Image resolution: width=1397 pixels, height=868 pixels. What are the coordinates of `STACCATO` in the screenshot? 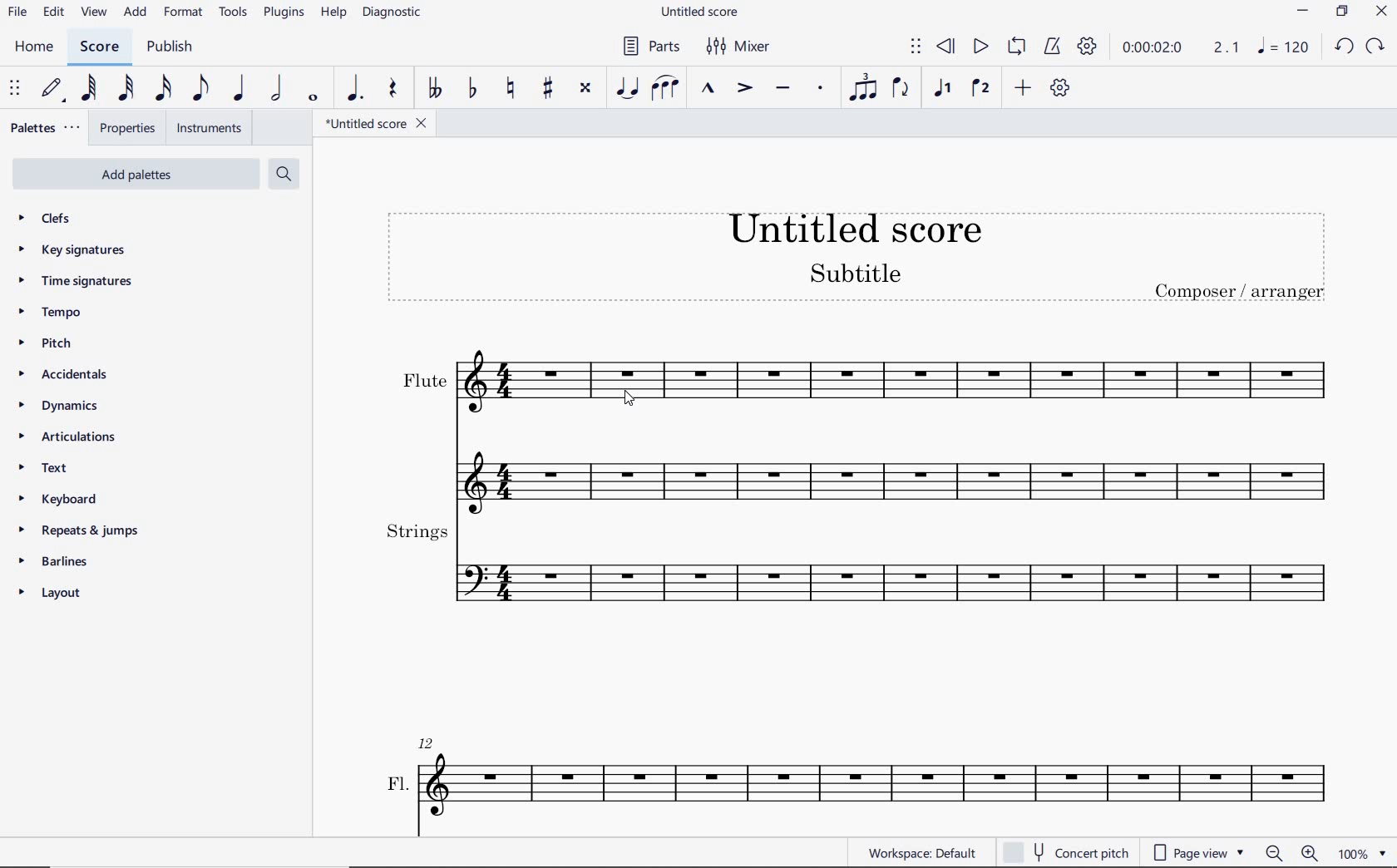 It's located at (822, 89).